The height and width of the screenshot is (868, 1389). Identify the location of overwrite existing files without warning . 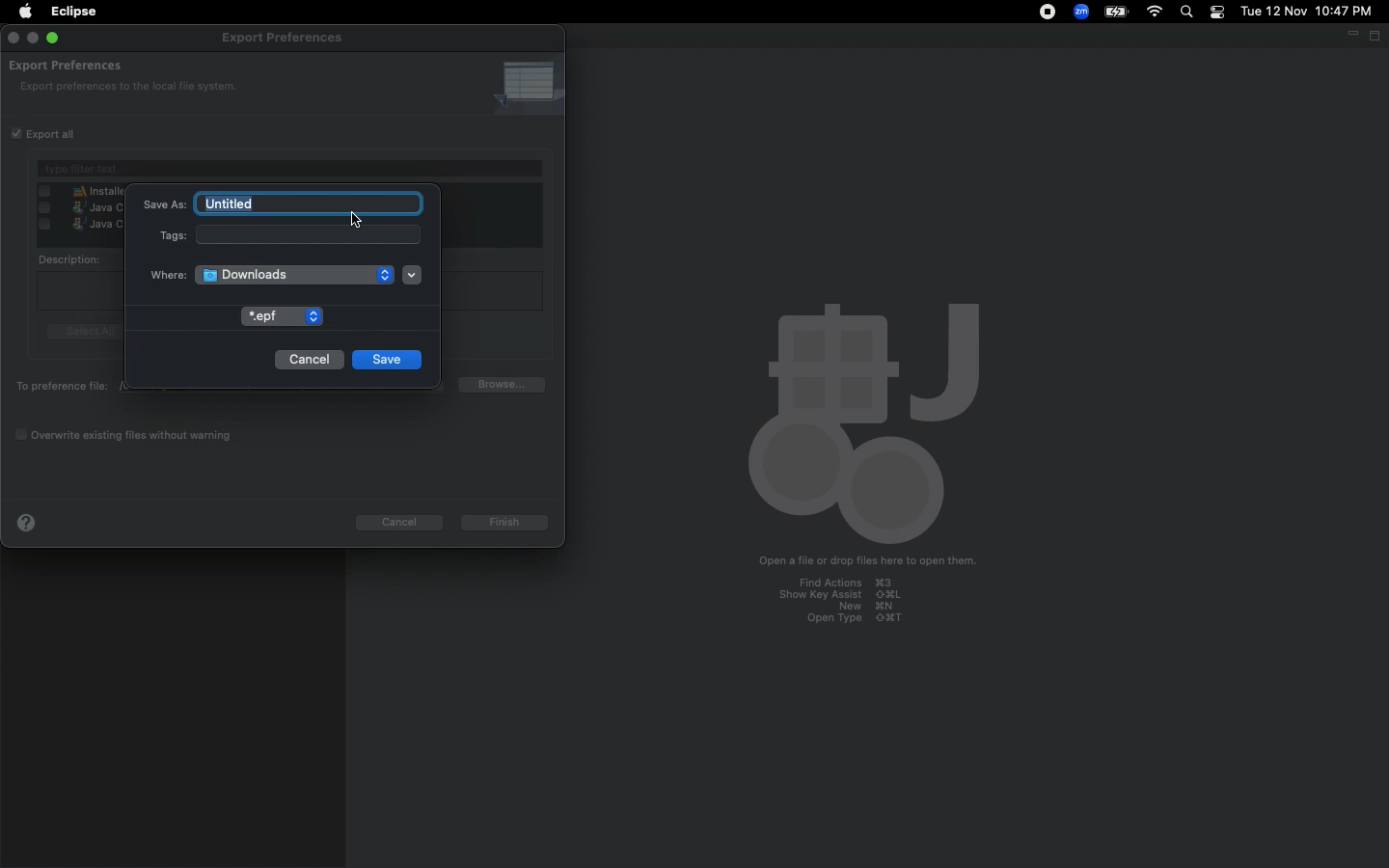
(136, 435).